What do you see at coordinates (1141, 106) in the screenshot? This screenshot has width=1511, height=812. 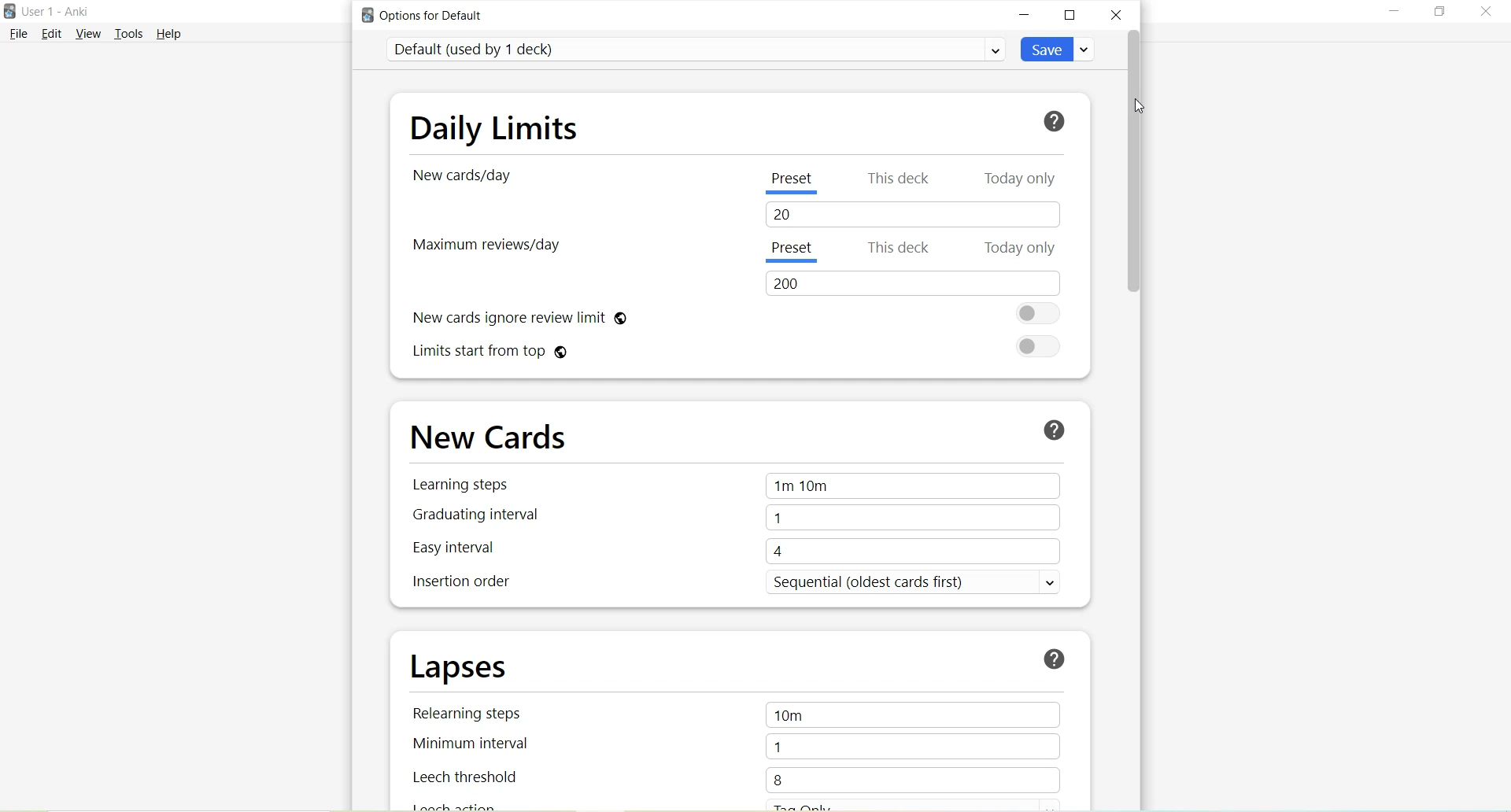 I see `cursor` at bounding box center [1141, 106].